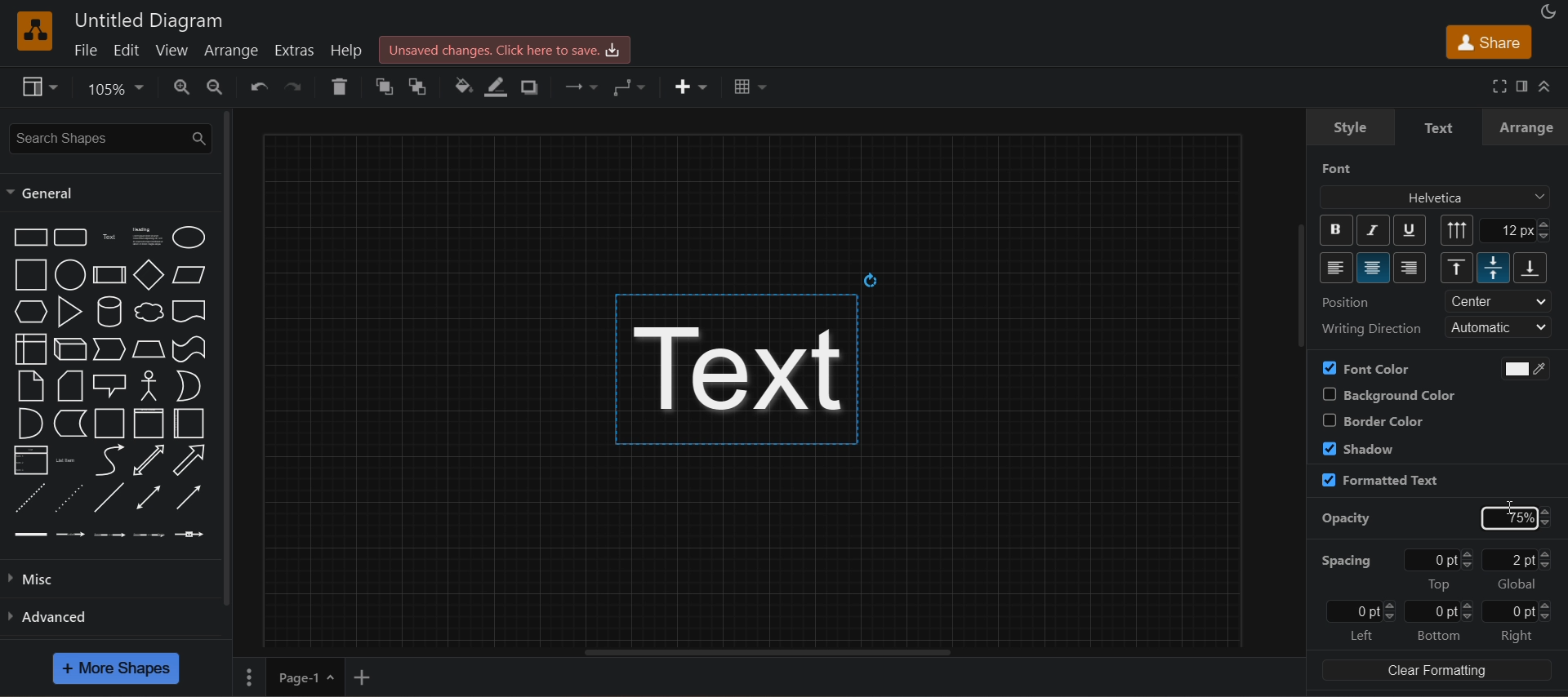 Image resolution: width=1568 pixels, height=697 pixels. What do you see at coordinates (182, 88) in the screenshot?
I see `zoom in` at bounding box center [182, 88].